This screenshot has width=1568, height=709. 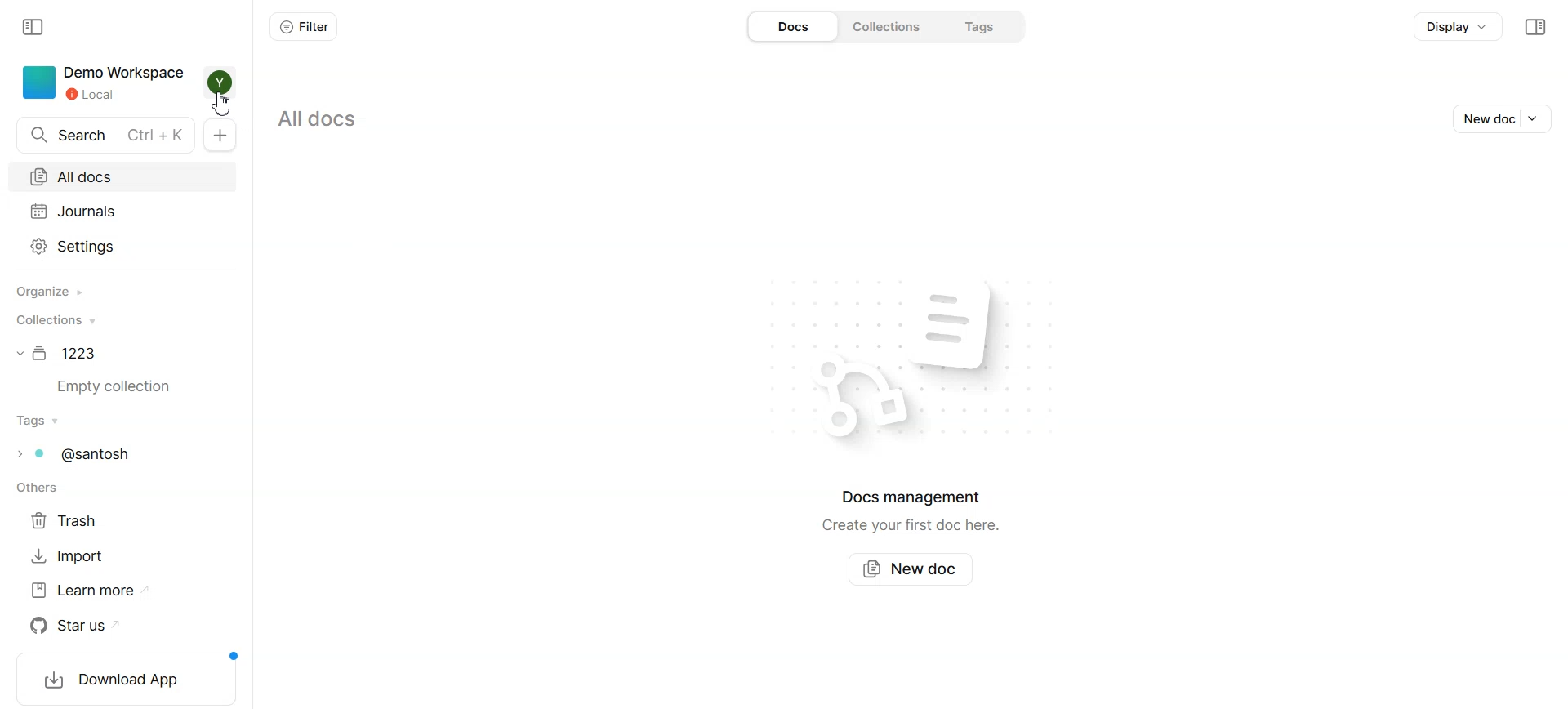 What do you see at coordinates (914, 568) in the screenshot?
I see `[® New doc` at bounding box center [914, 568].